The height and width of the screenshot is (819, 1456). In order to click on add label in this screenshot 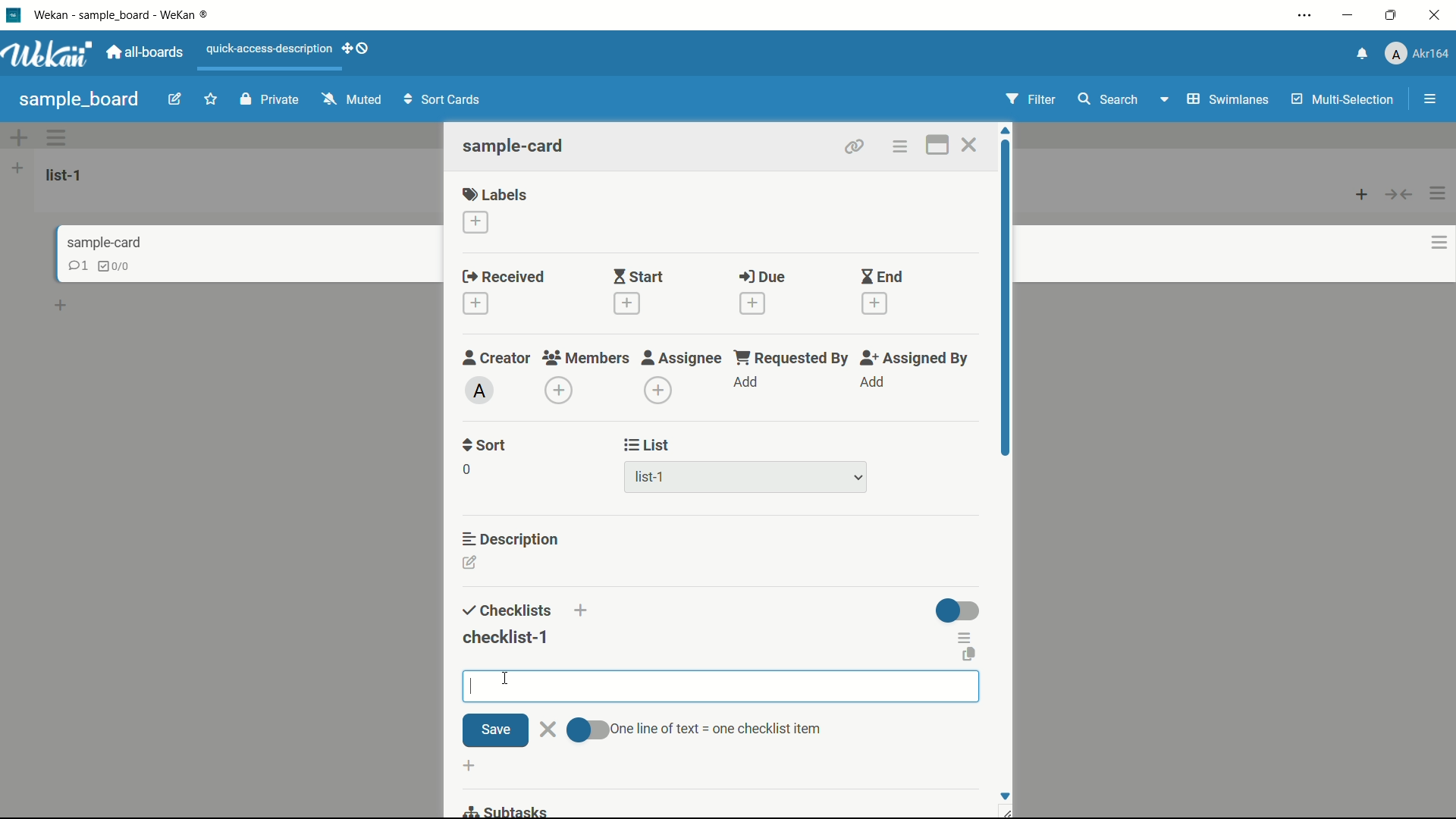, I will do `click(474, 221)`.